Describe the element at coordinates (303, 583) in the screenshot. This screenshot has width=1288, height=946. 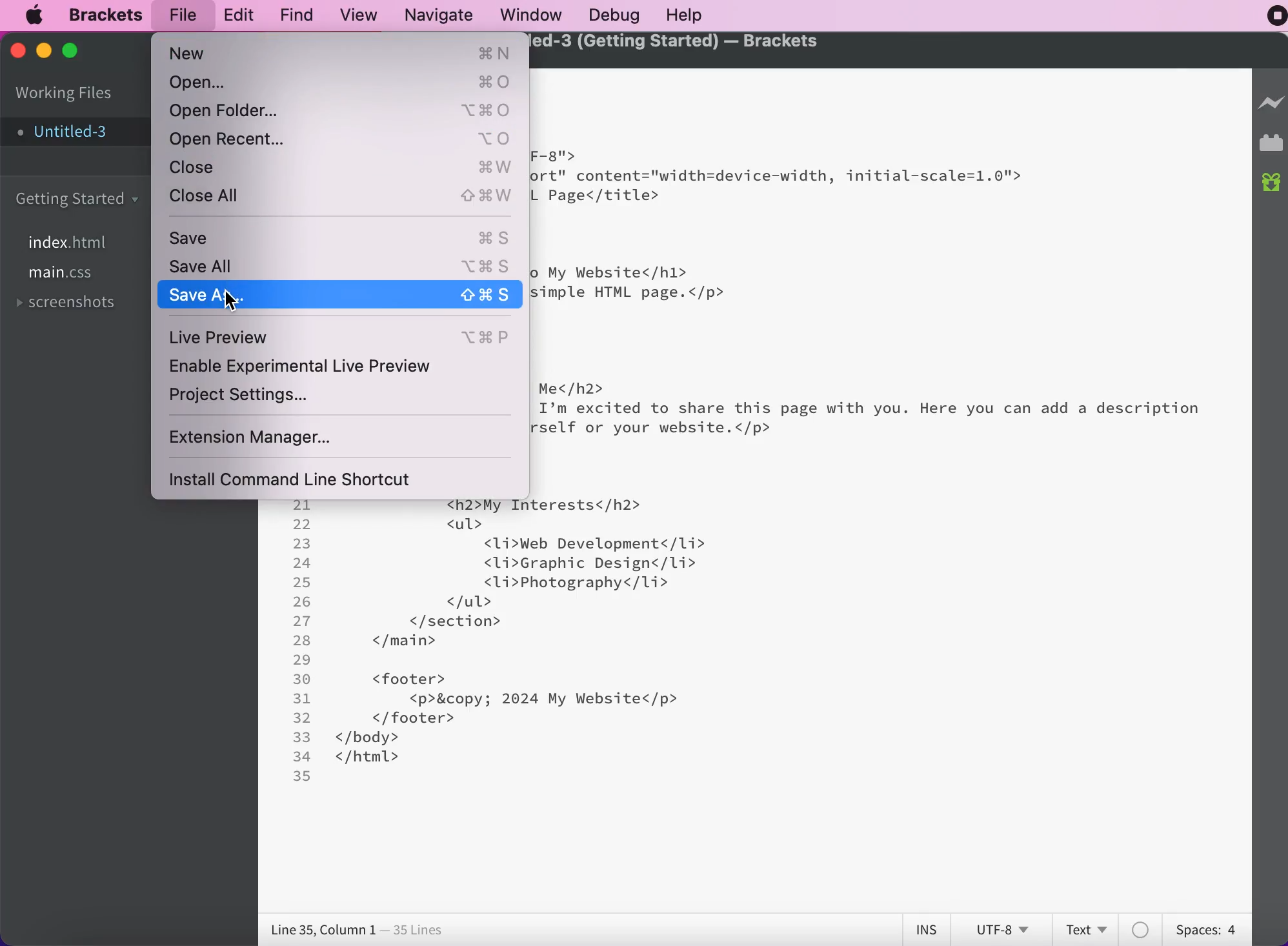
I see `25` at that location.